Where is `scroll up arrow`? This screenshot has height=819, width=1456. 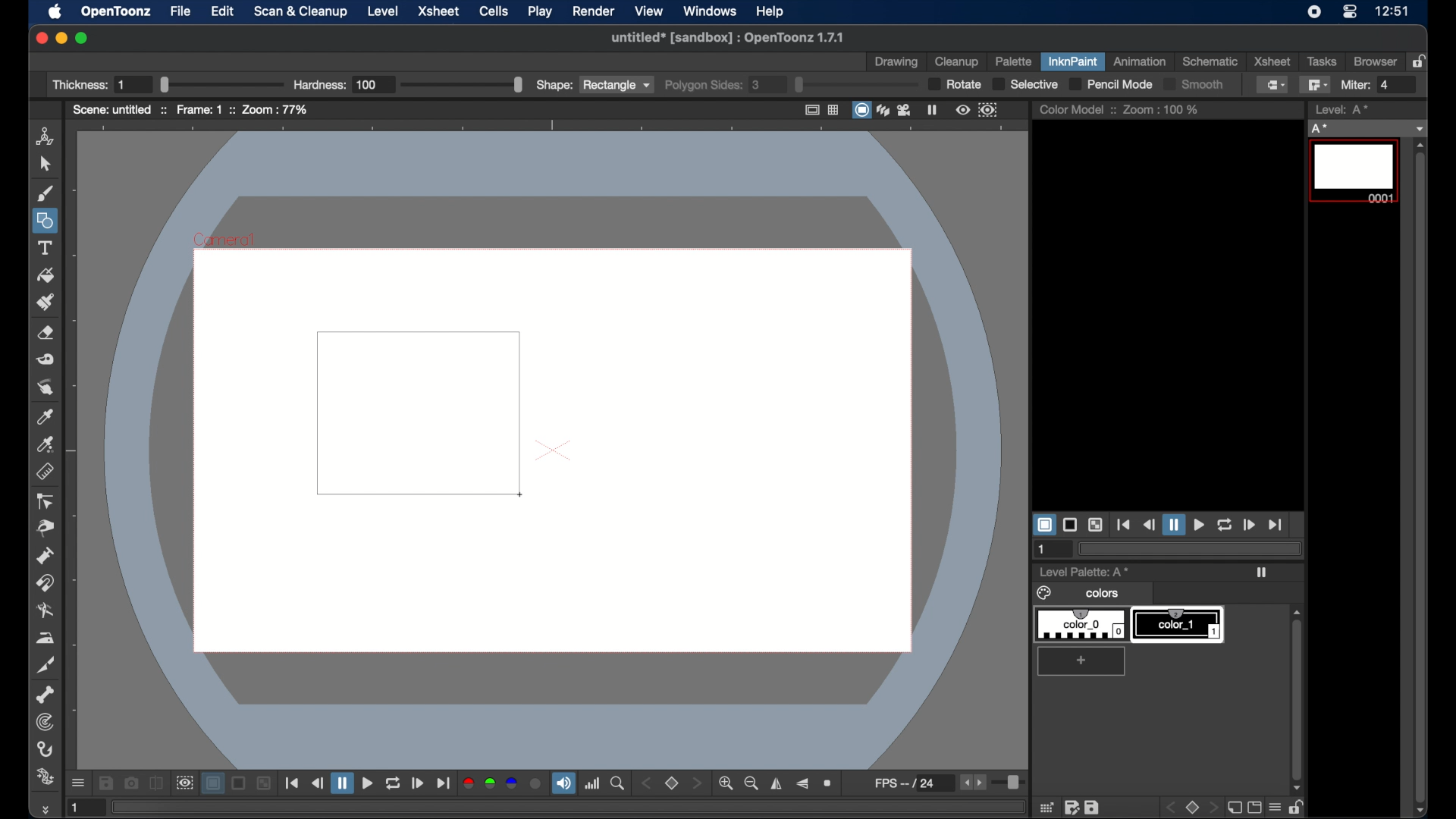 scroll up arrow is located at coordinates (1420, 145).